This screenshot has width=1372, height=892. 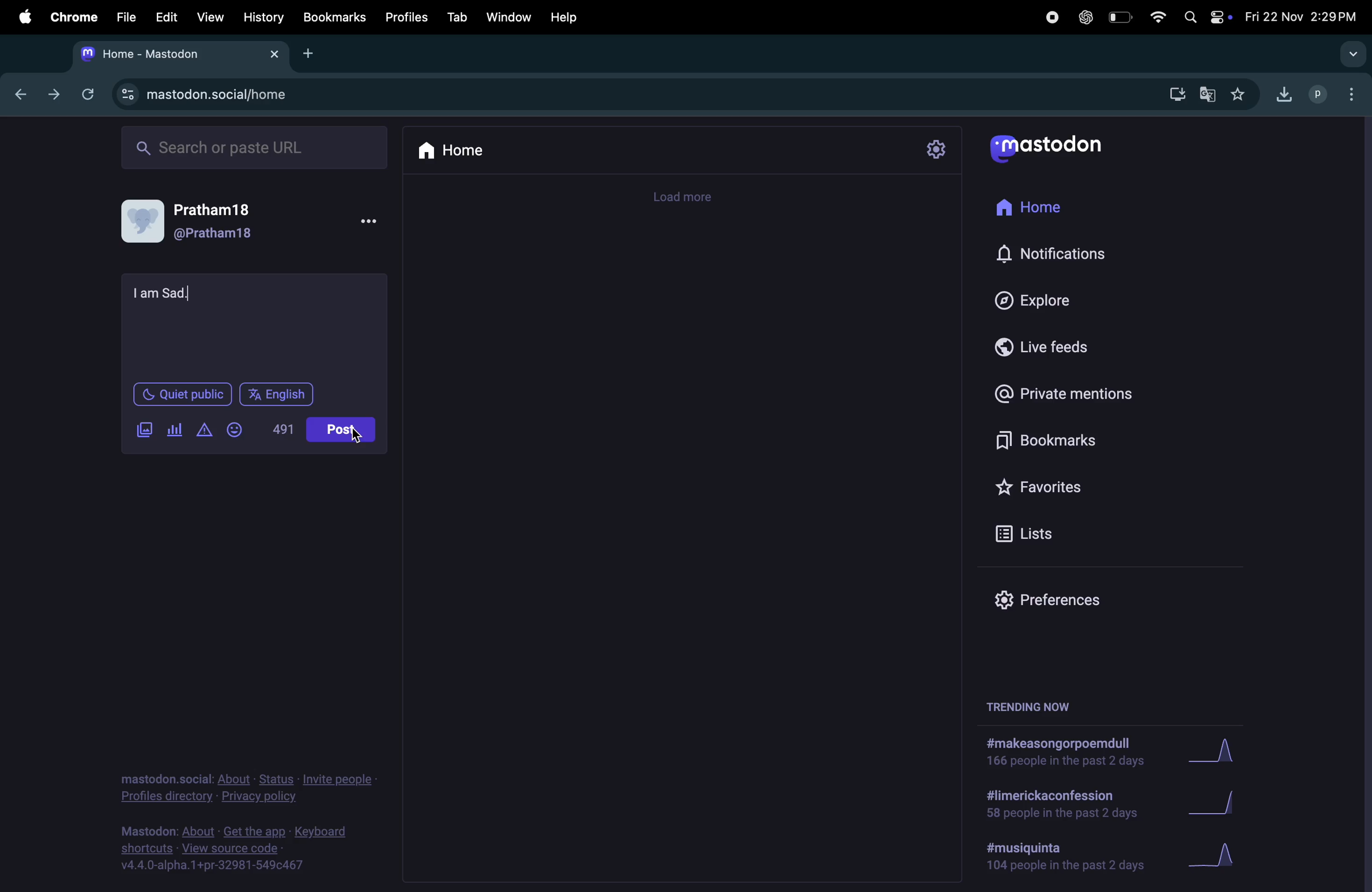 I want to click on backtab, so click(x=17, y=95).